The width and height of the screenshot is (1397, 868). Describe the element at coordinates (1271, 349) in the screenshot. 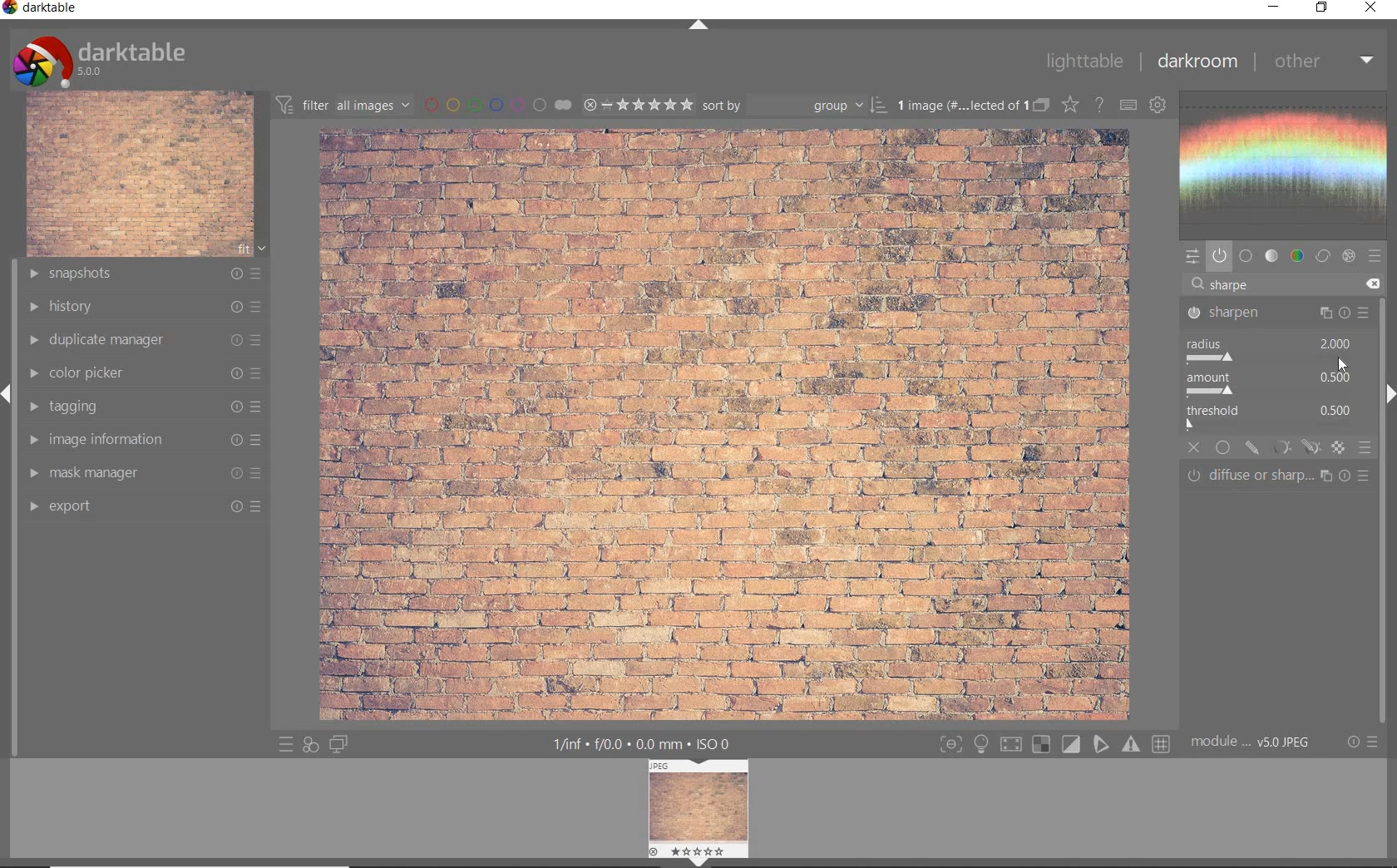

I see `RADIUS: 2000` at that location.